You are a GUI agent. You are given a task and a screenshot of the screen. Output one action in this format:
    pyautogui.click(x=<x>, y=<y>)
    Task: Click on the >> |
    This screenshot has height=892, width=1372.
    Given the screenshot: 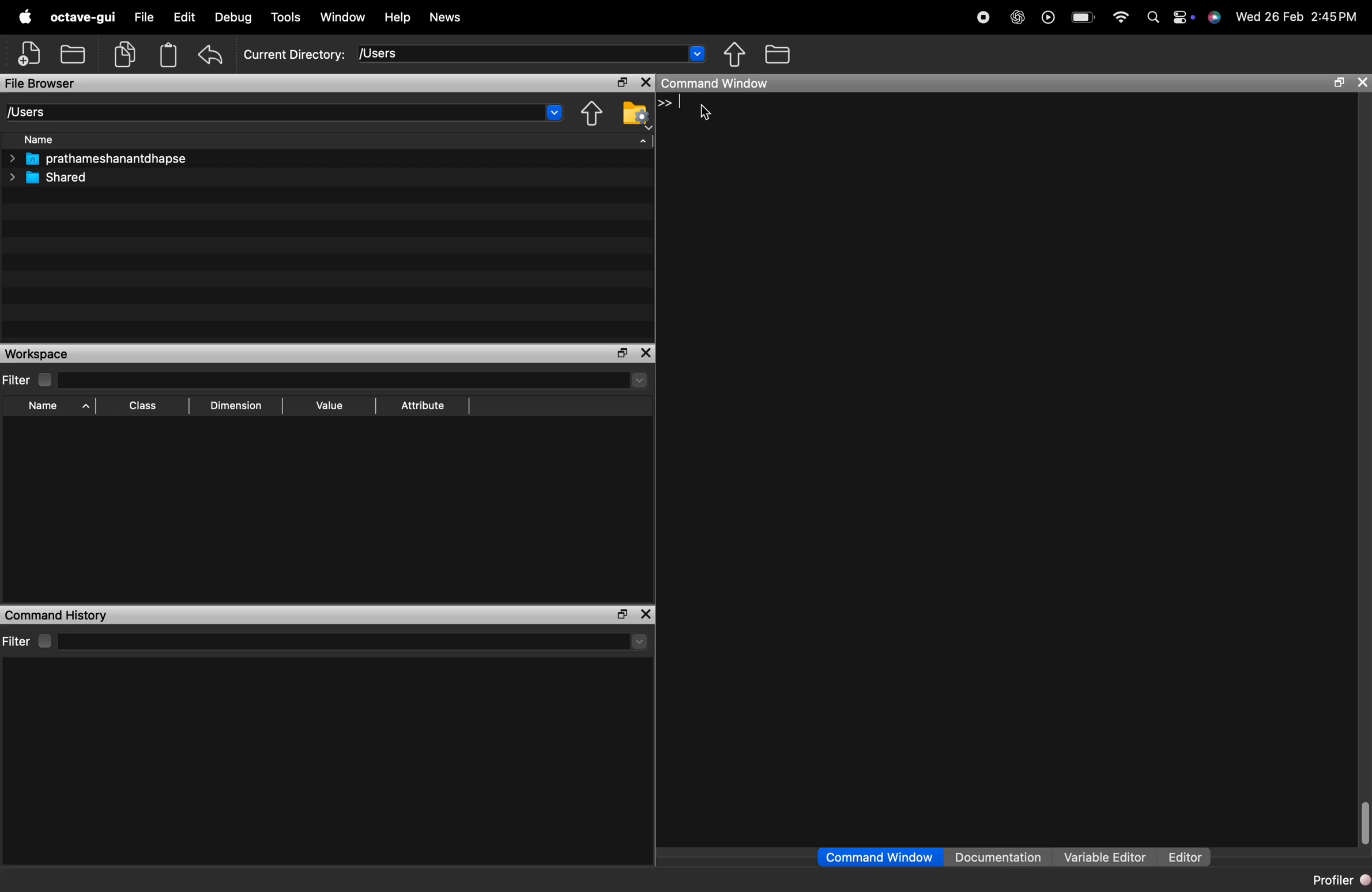 What is the action you would take?
    pyautogui.click(x=671, y=104)
    